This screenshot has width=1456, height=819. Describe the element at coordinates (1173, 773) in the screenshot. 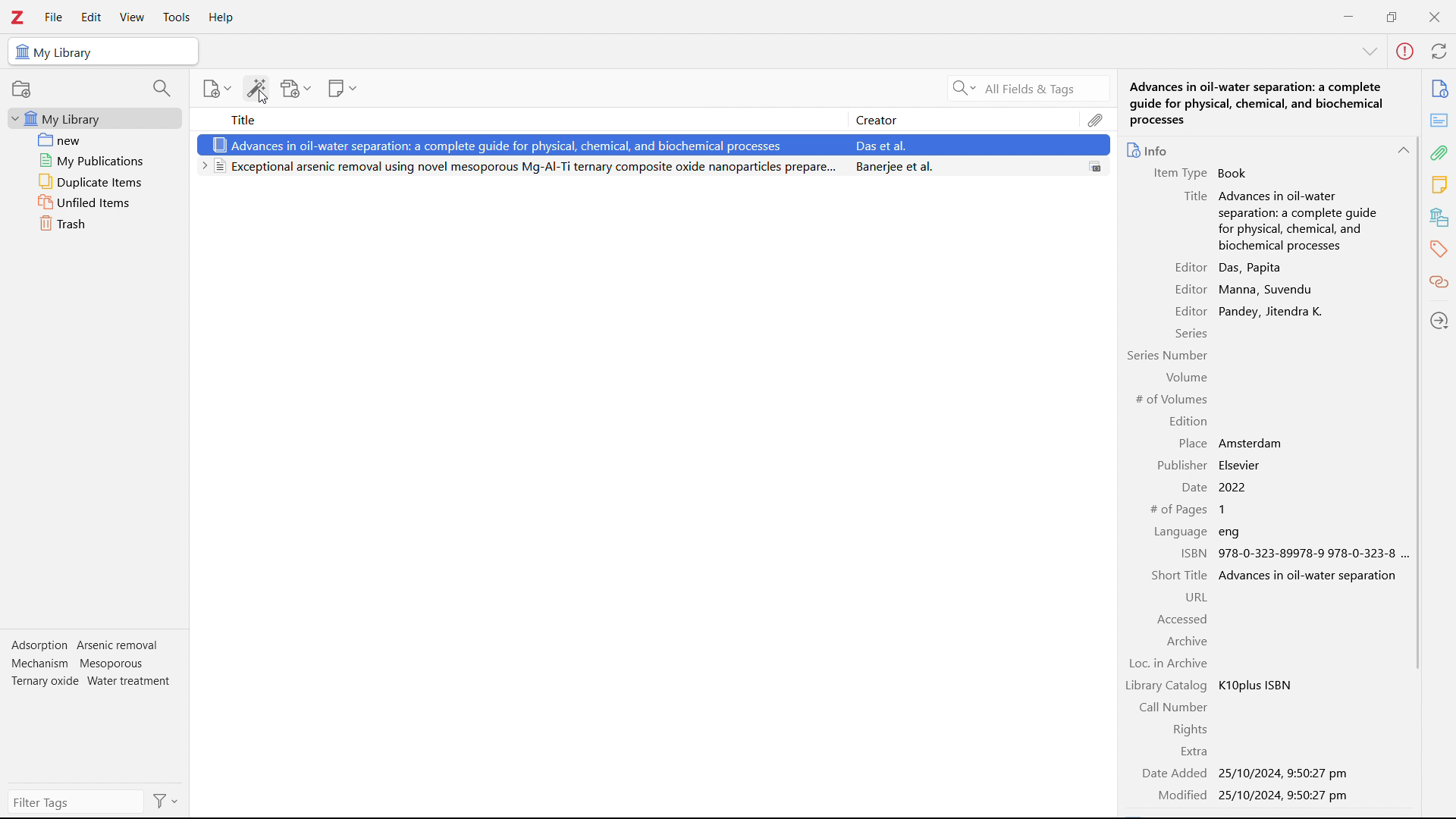

I see `Date added` at that location.